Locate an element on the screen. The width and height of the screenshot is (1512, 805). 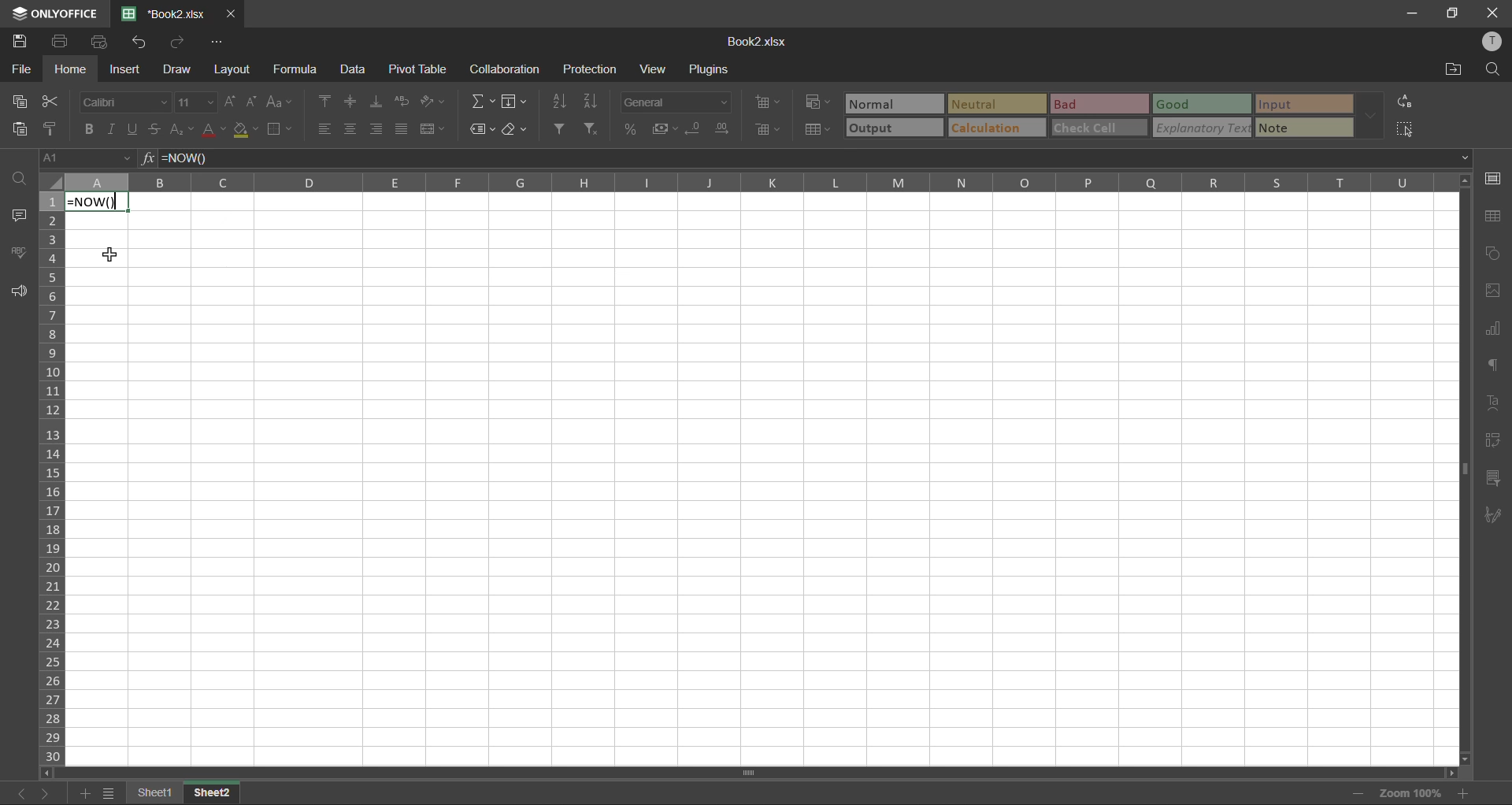
quick print is located at coordinates (103, 42).